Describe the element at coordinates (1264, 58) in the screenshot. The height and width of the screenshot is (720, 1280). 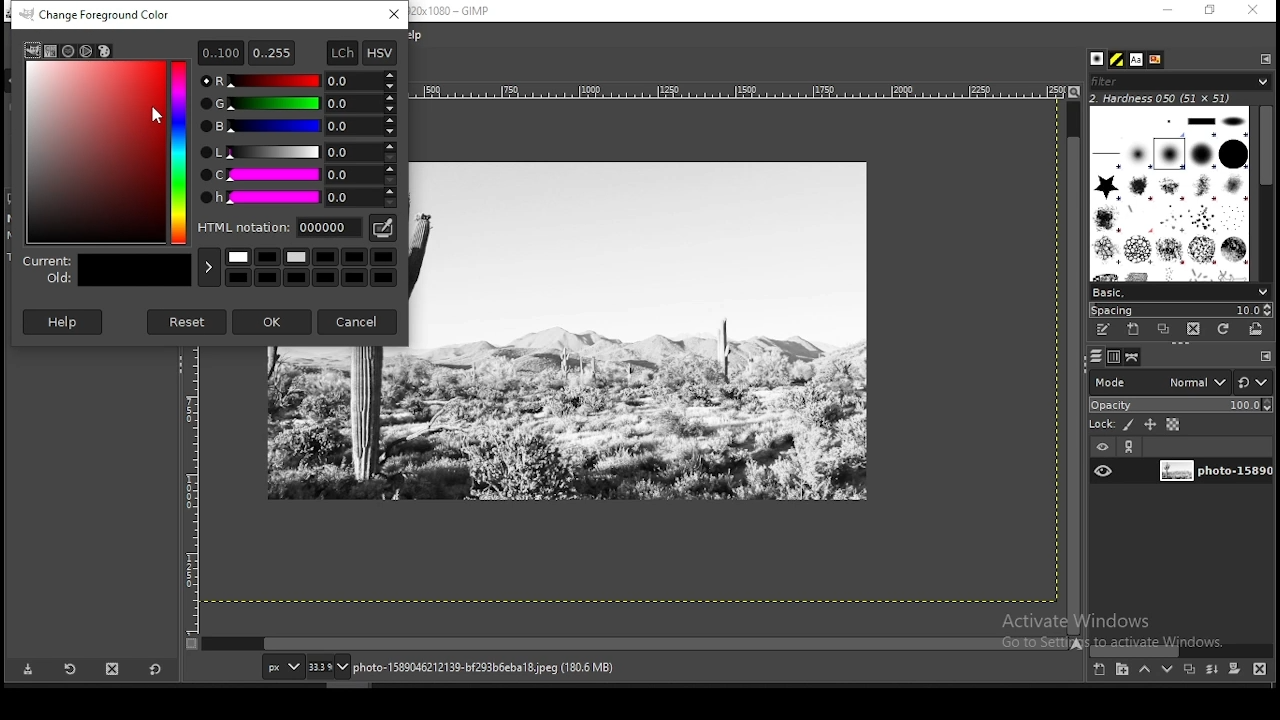
I see `configure this pane` at that location.